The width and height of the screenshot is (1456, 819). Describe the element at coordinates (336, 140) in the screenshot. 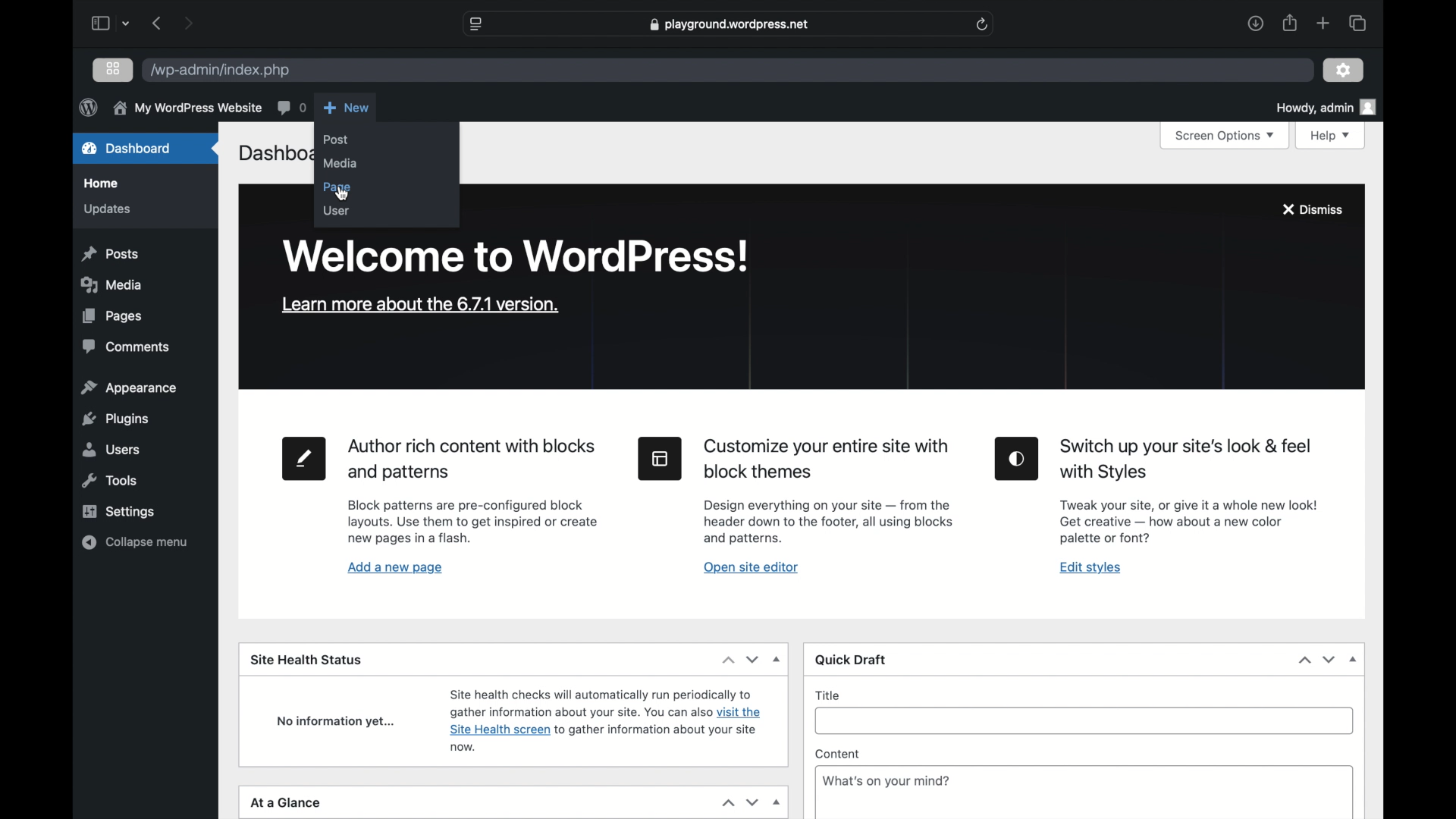

I see `post` at that location.